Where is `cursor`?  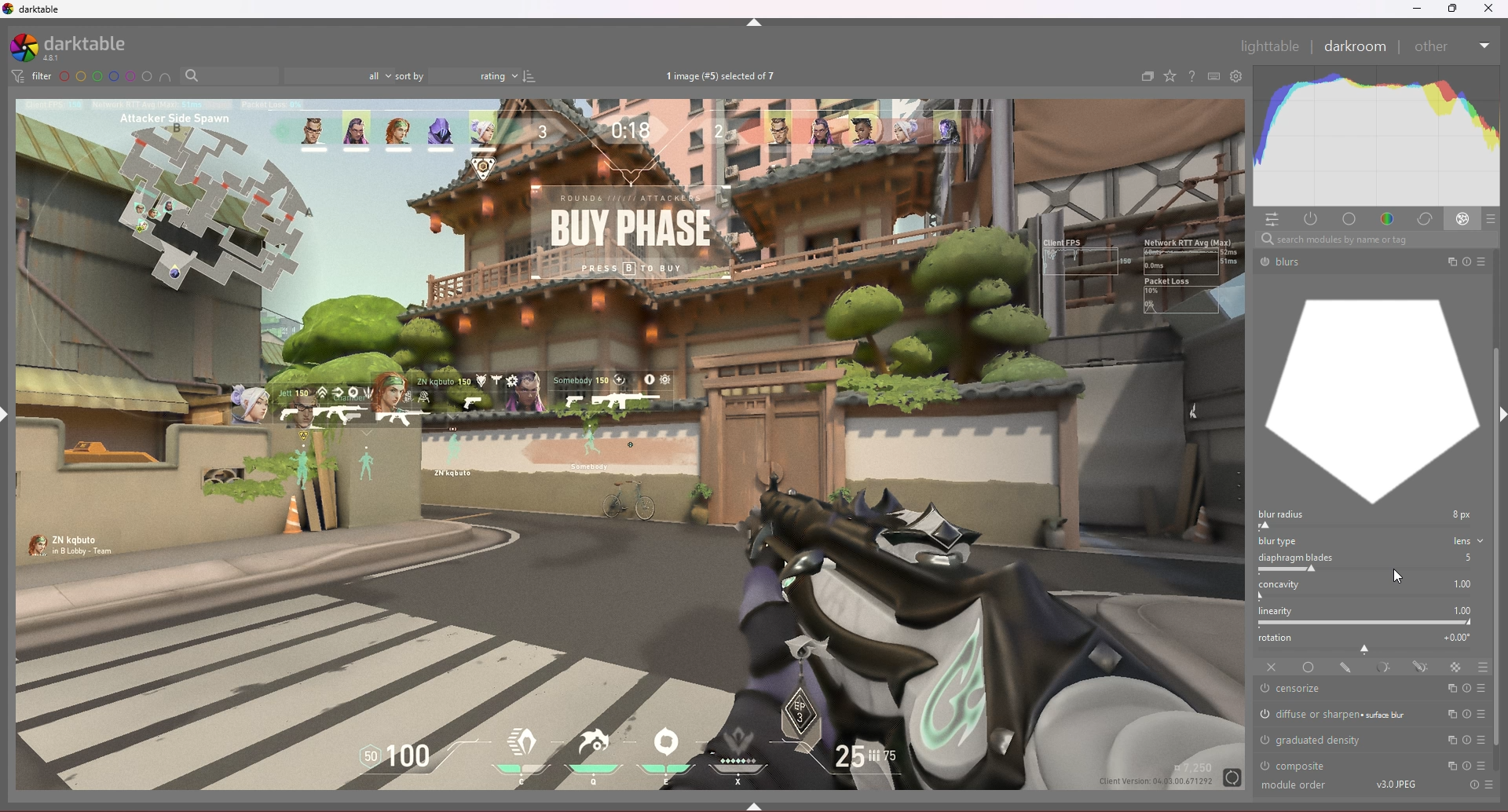 cursor is located at coordinates (1399, 580).